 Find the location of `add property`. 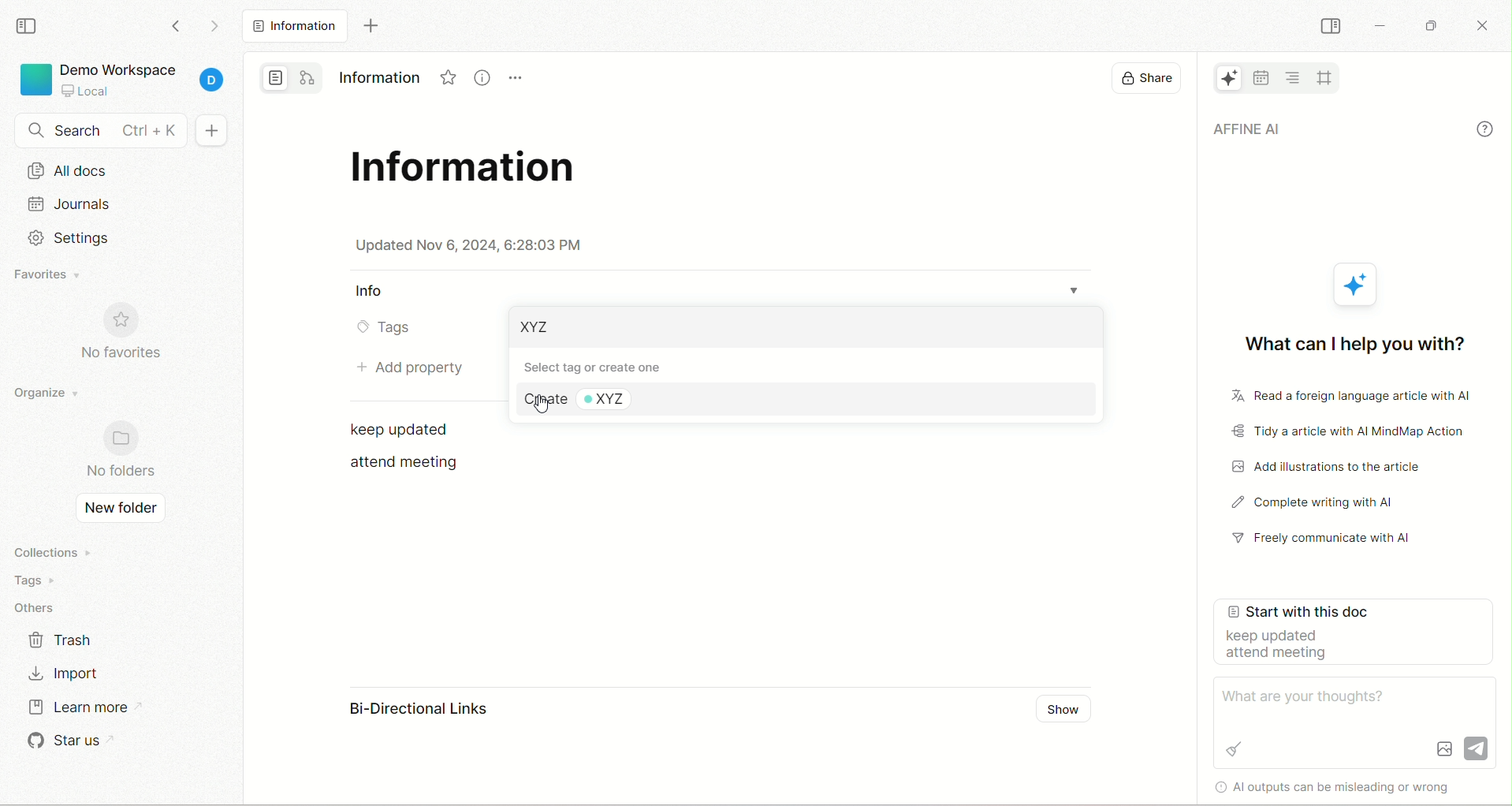

add property is located at coordinates (408, 367).